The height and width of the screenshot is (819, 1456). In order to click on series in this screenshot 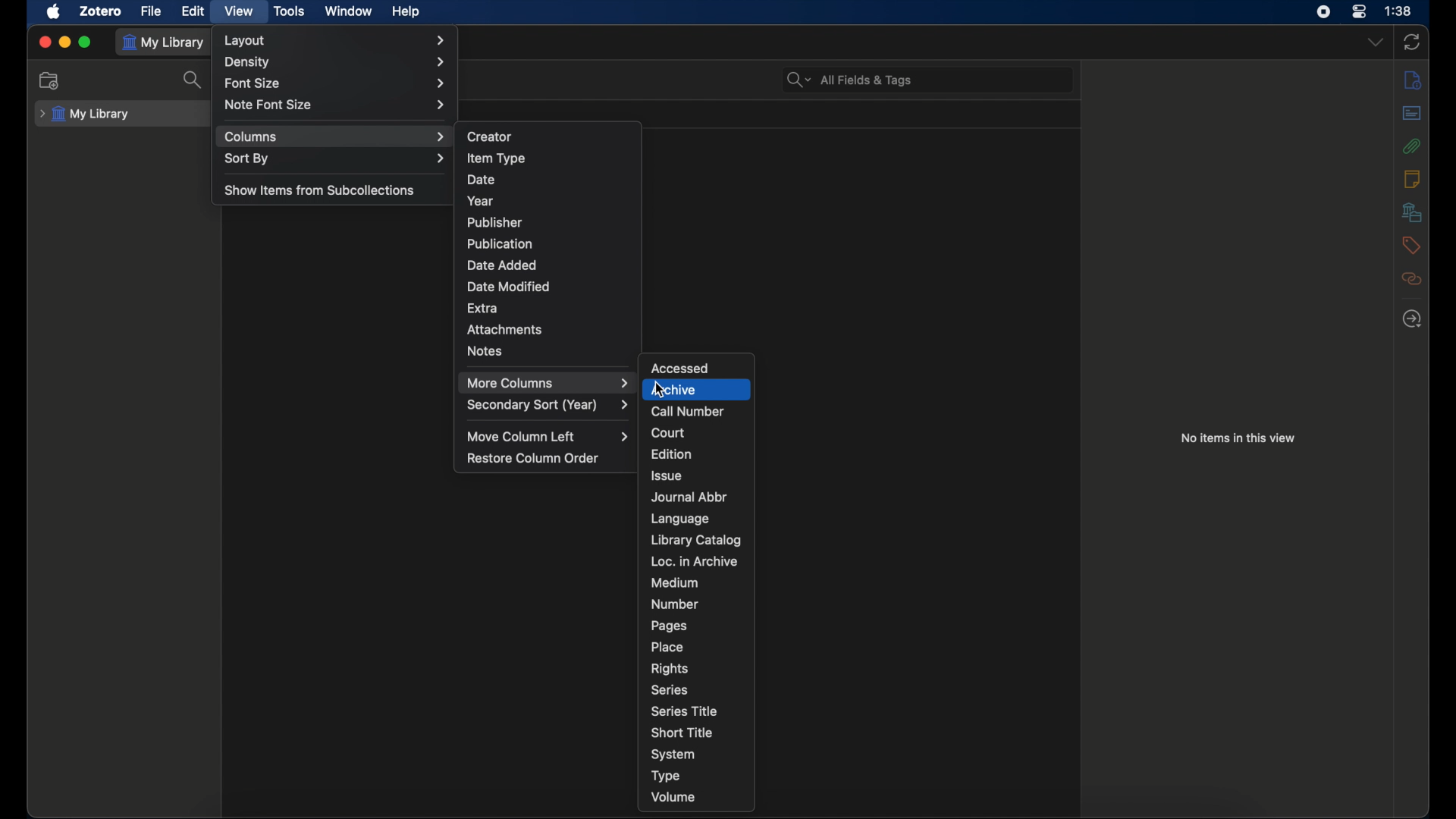, I will do `click(670, 690)`.